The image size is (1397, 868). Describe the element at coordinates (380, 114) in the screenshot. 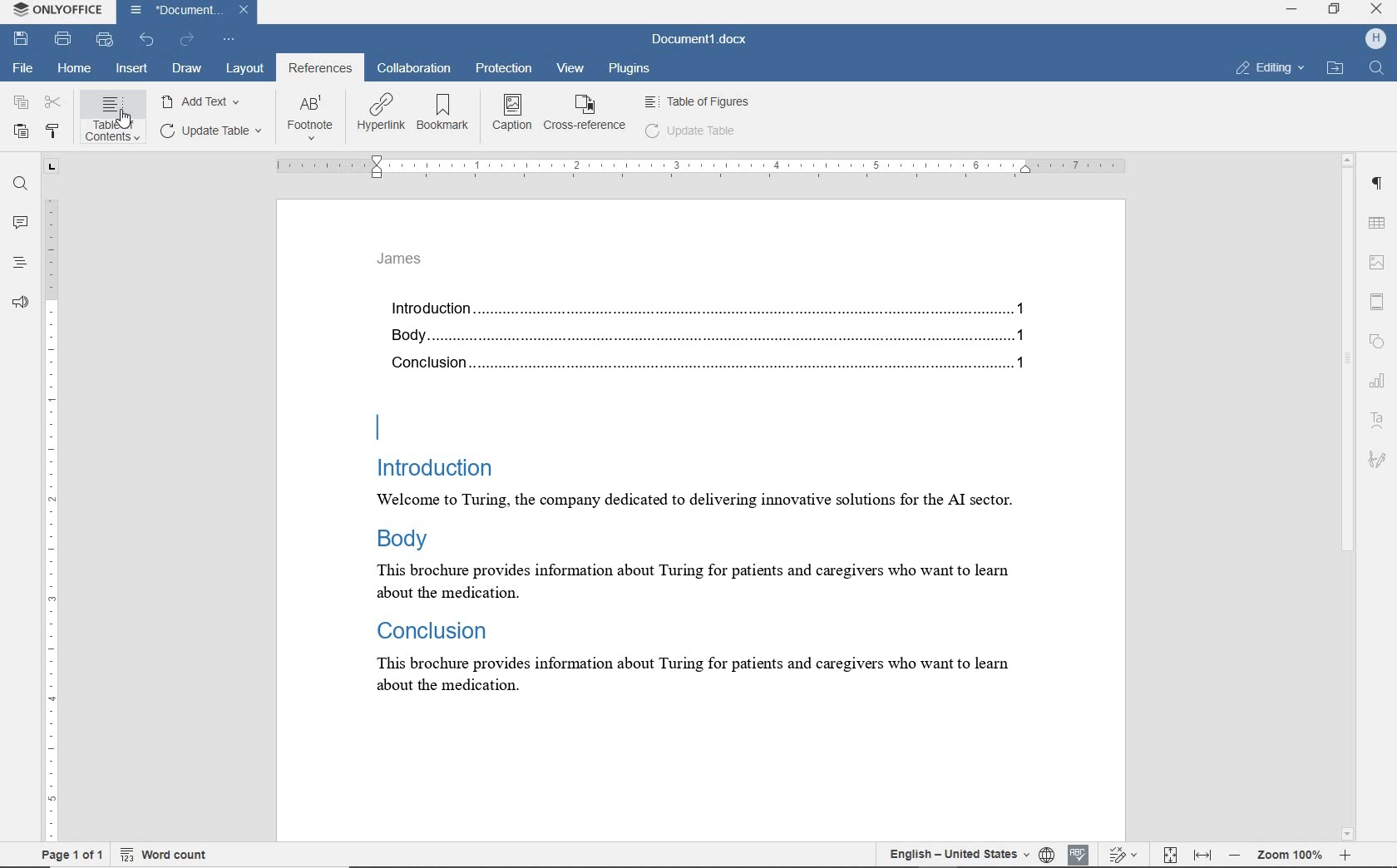

I see `hyperlink` at that location.